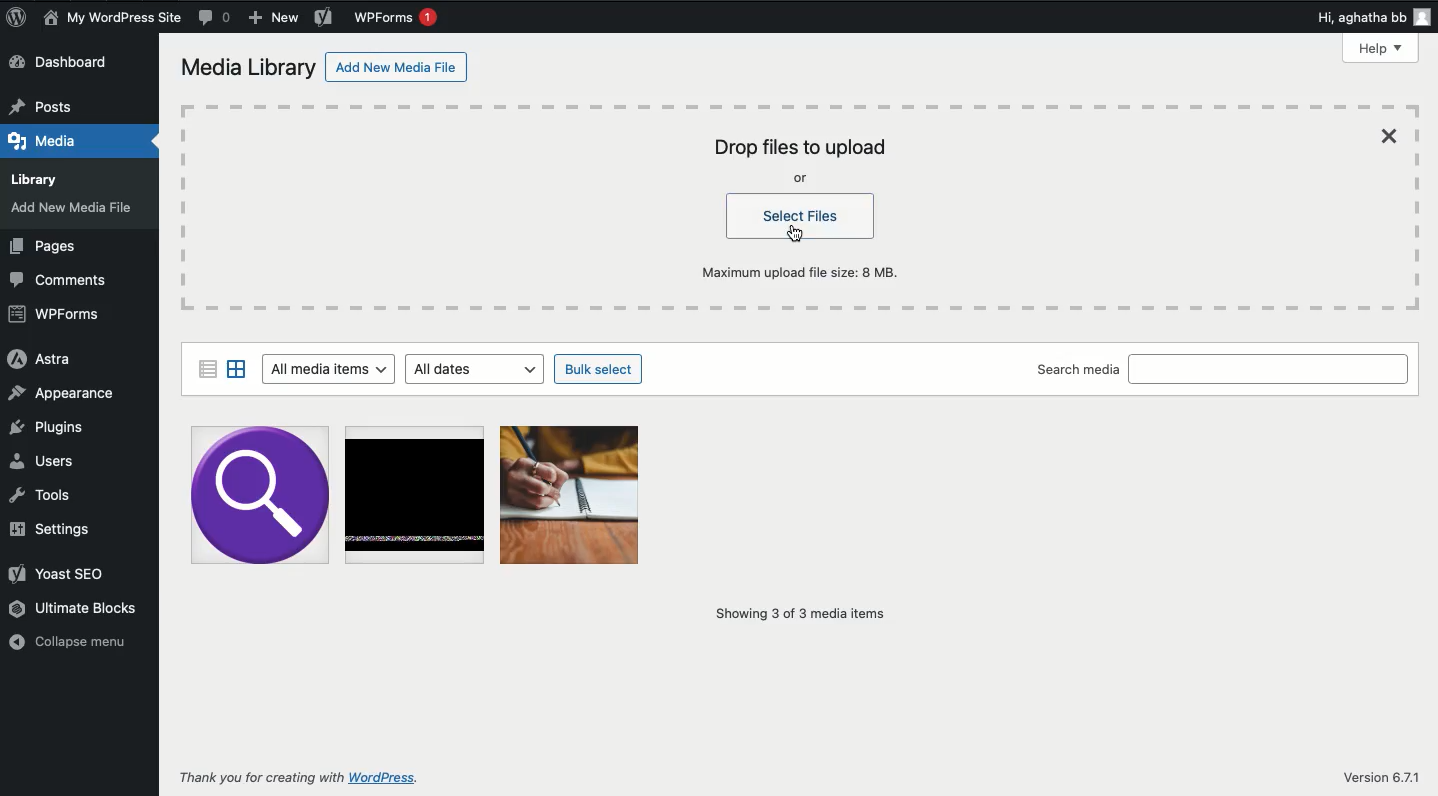 Image resolution: width=1438 pixels, height=796 pixels. Describe the element at coordinates (71, 641) in the screenshot. I see `Collapse menu` at that location.